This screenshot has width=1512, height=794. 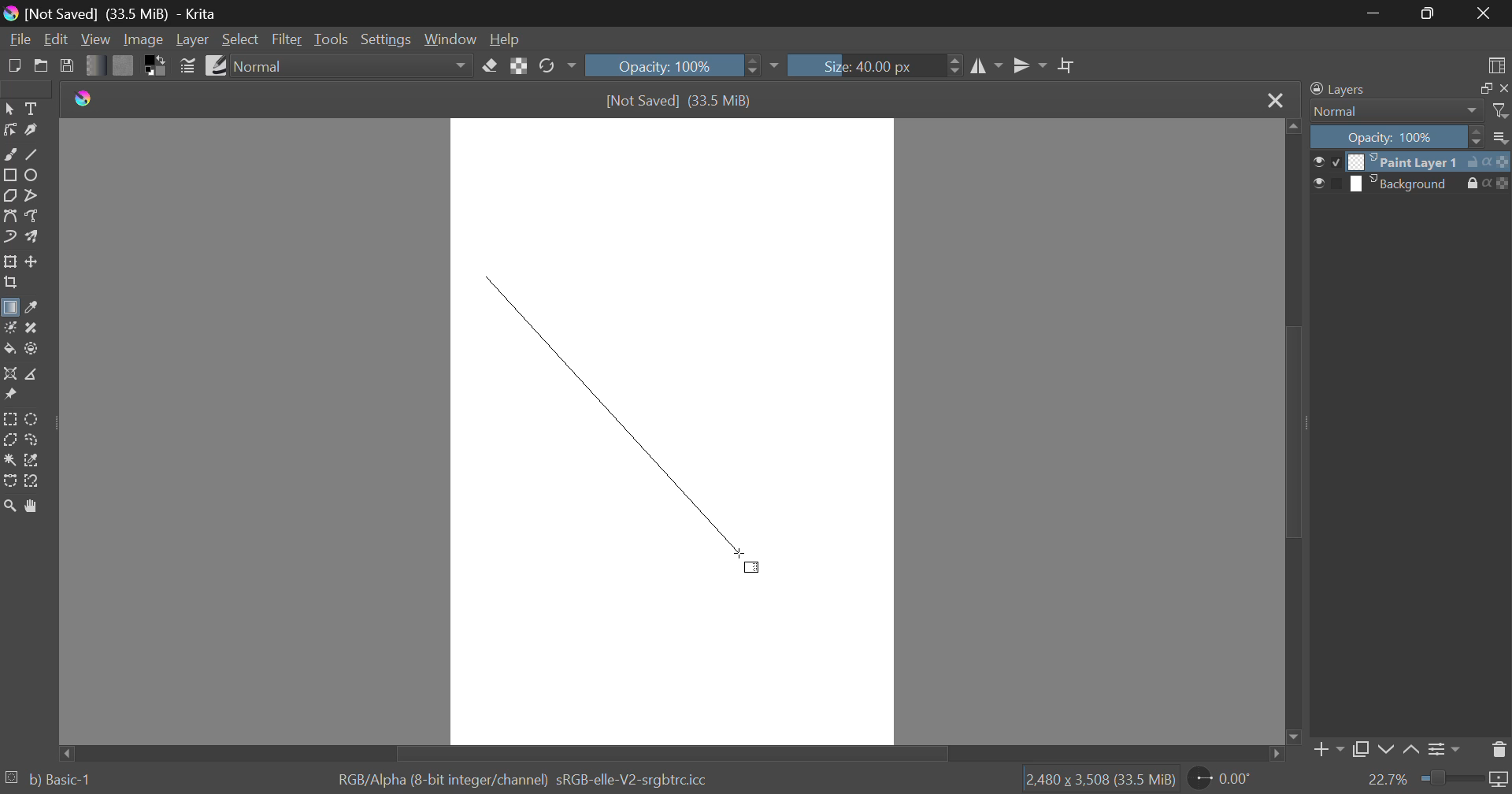 What do you see at coordinates (34, 419) in the screenshot?
I see `Circular Selection` at bounding box center [34, 419].